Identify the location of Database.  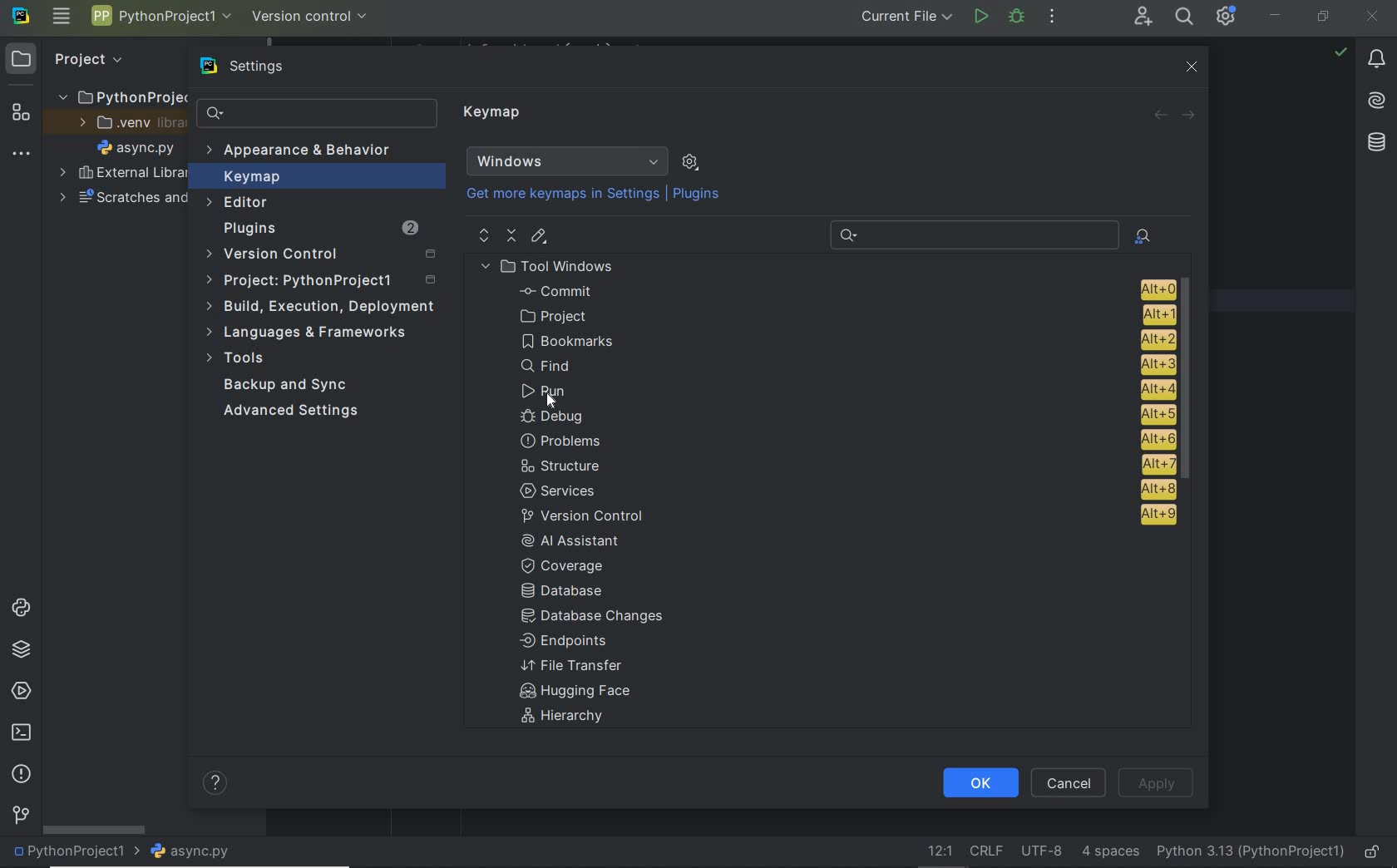
(567, 592).